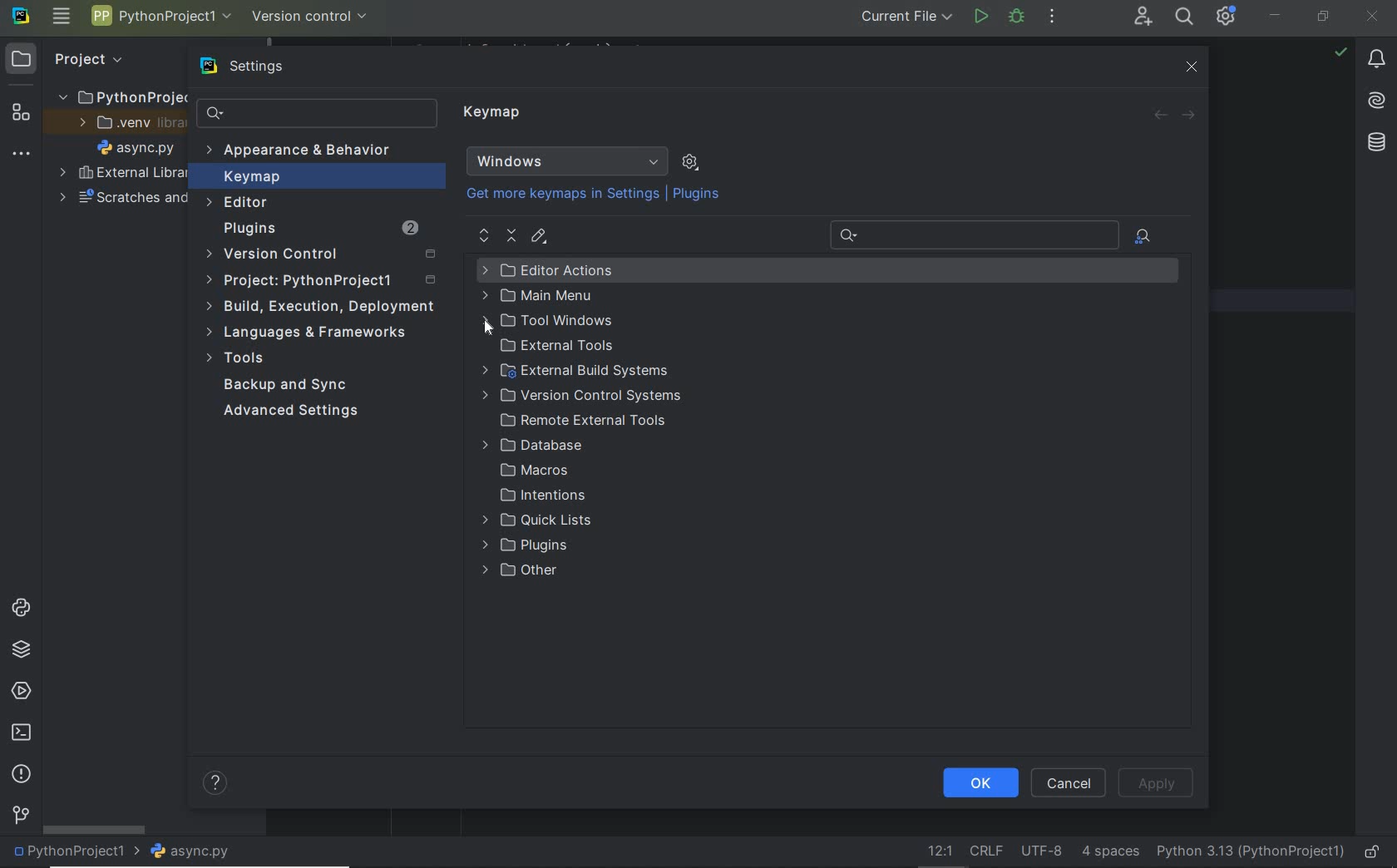 The height and width of the screenshot is (868, 1397). I want to click on Cursor Position, so click(487, 323).